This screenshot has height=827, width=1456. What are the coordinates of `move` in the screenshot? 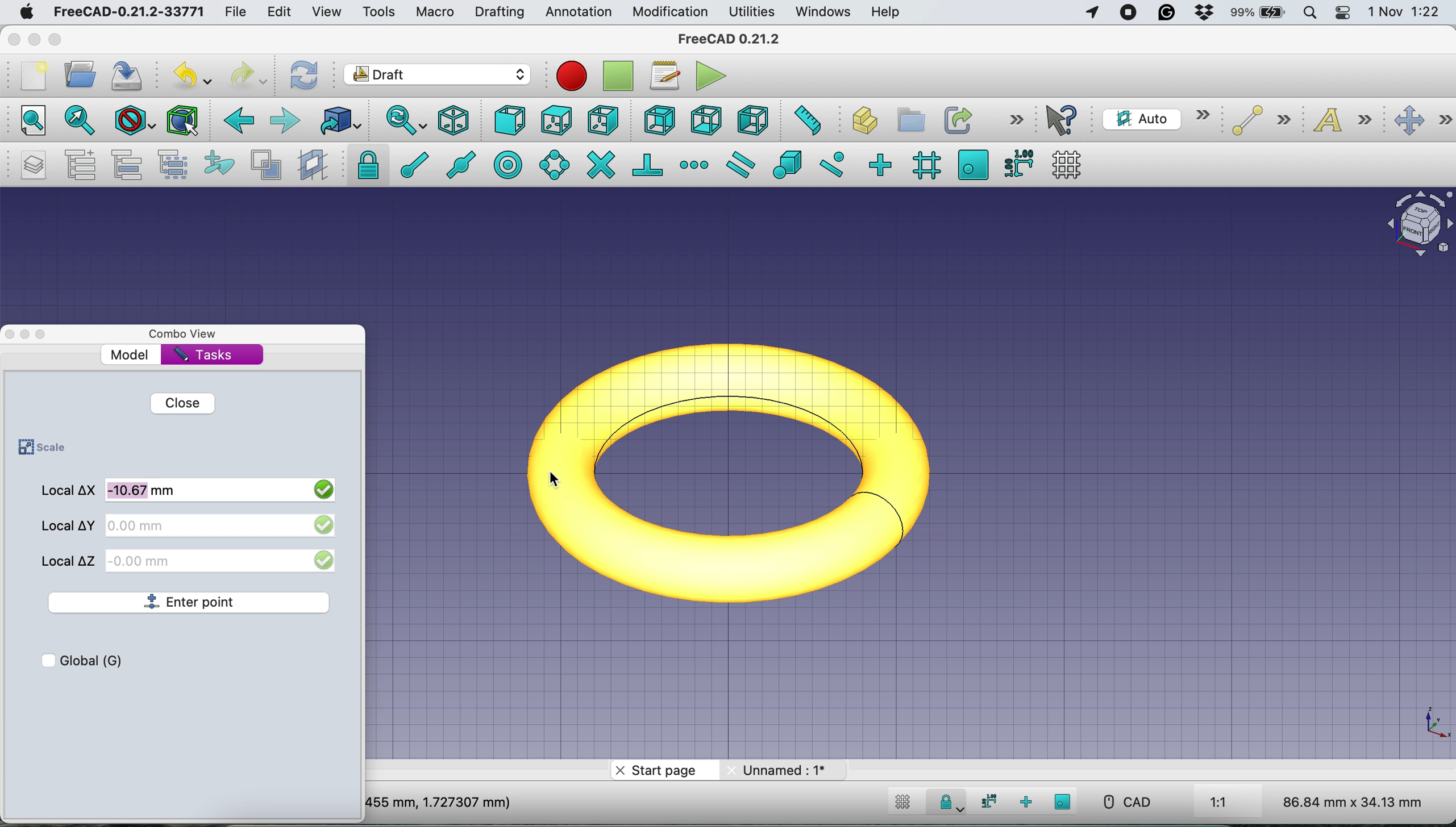 It's located at (1422, 121).